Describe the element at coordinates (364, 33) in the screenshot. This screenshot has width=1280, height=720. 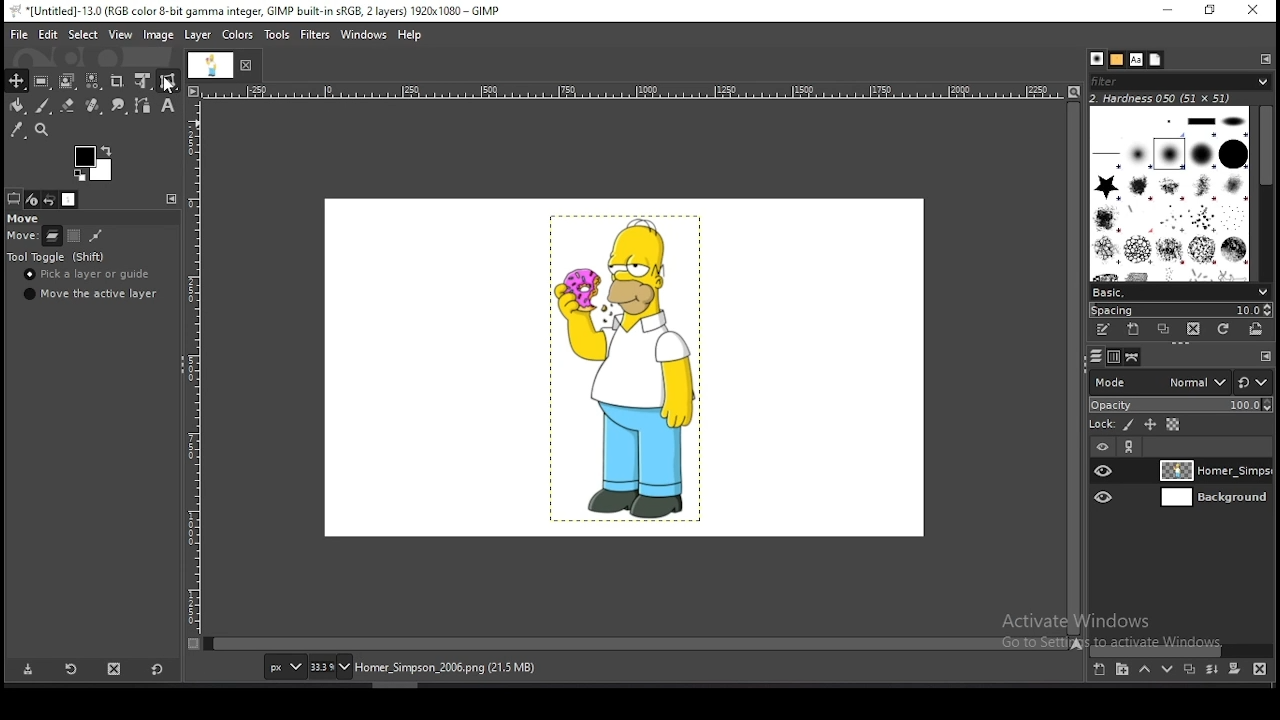
I see `windows` at that location.